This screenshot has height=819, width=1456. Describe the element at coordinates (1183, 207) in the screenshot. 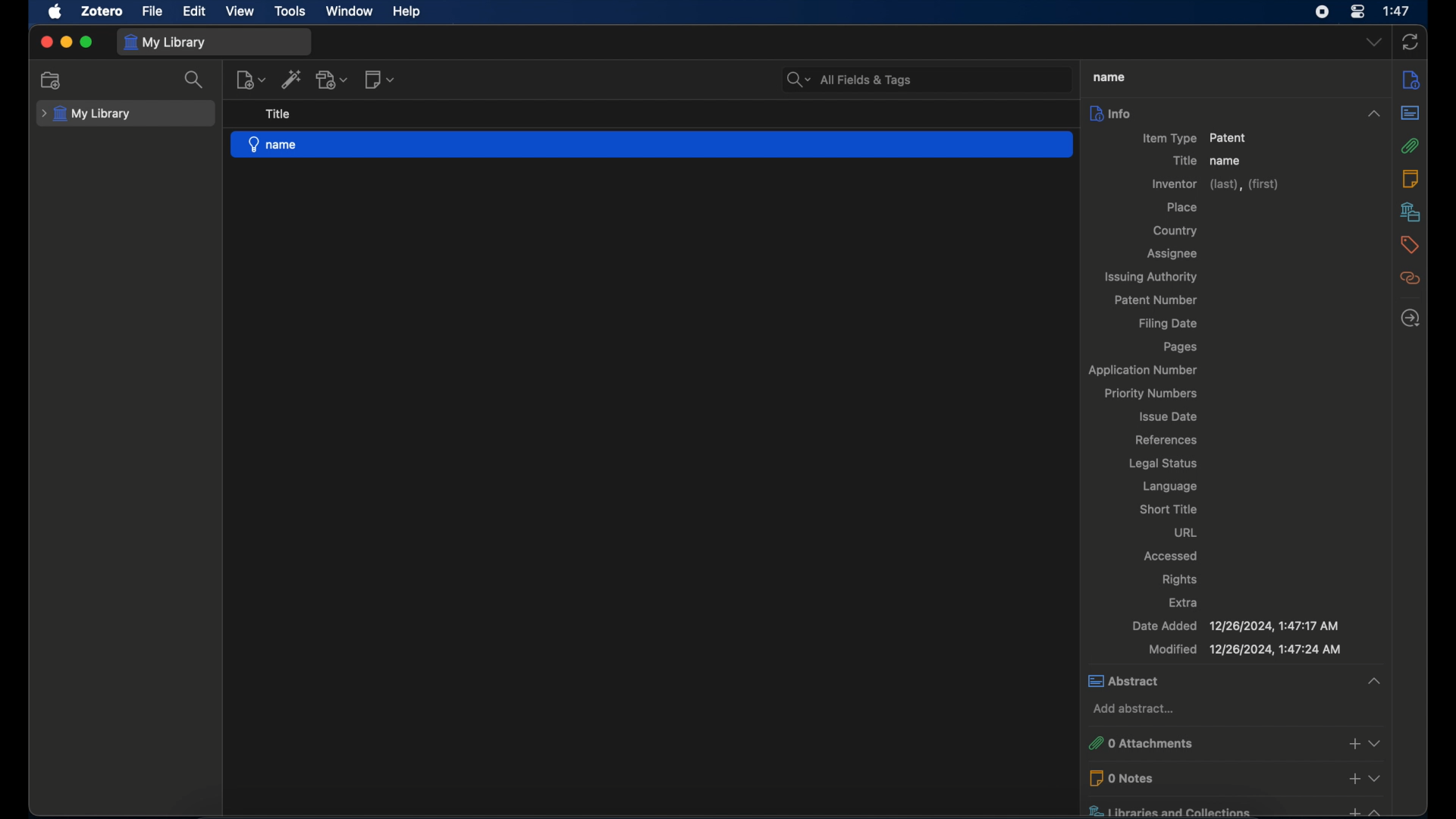

I see `place` at that location.